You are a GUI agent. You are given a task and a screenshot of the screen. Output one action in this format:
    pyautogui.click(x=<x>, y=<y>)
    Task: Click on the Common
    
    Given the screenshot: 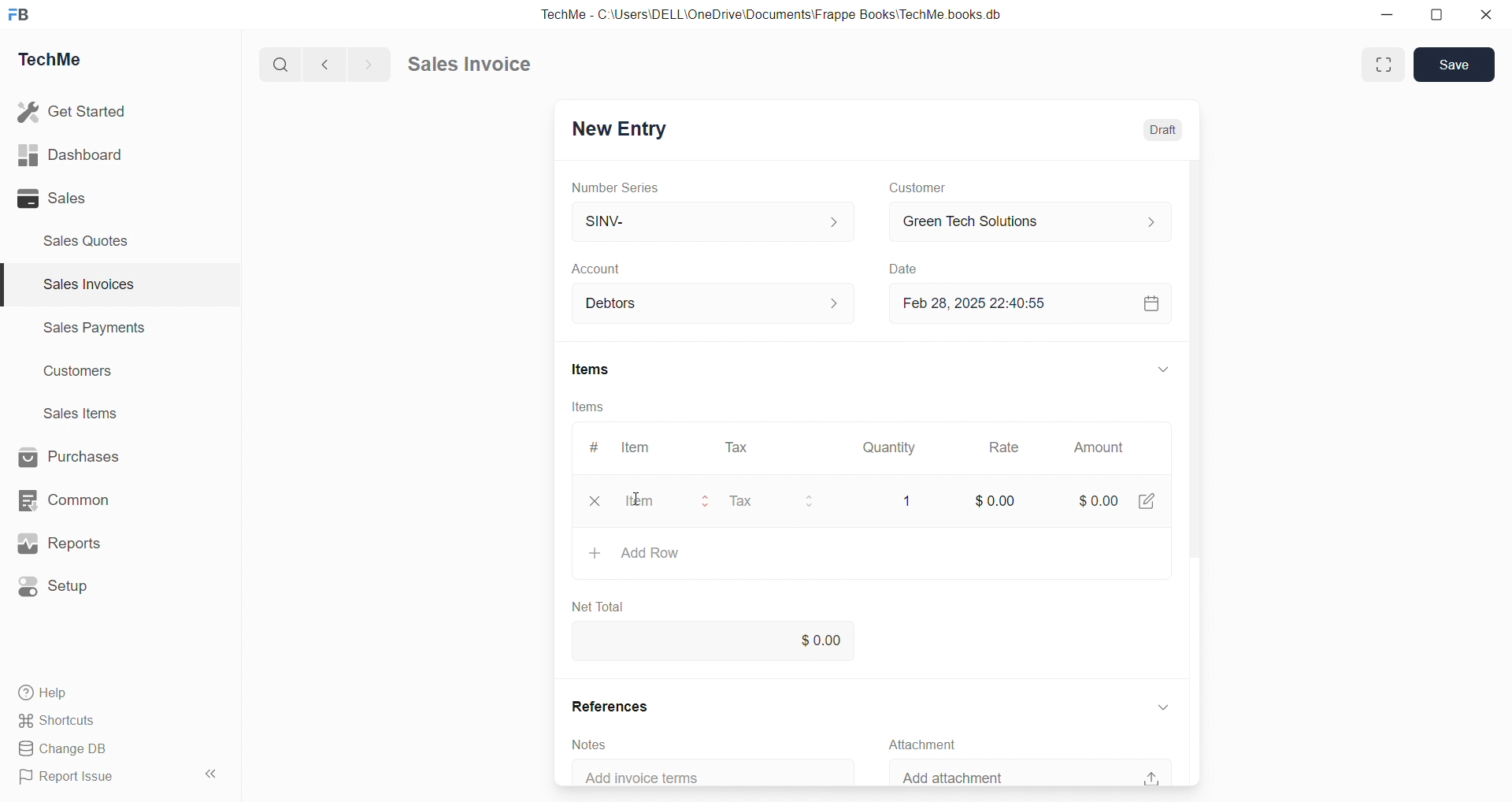 What is the action you would take?
    pyautogui.click(x=64, y=500)
    